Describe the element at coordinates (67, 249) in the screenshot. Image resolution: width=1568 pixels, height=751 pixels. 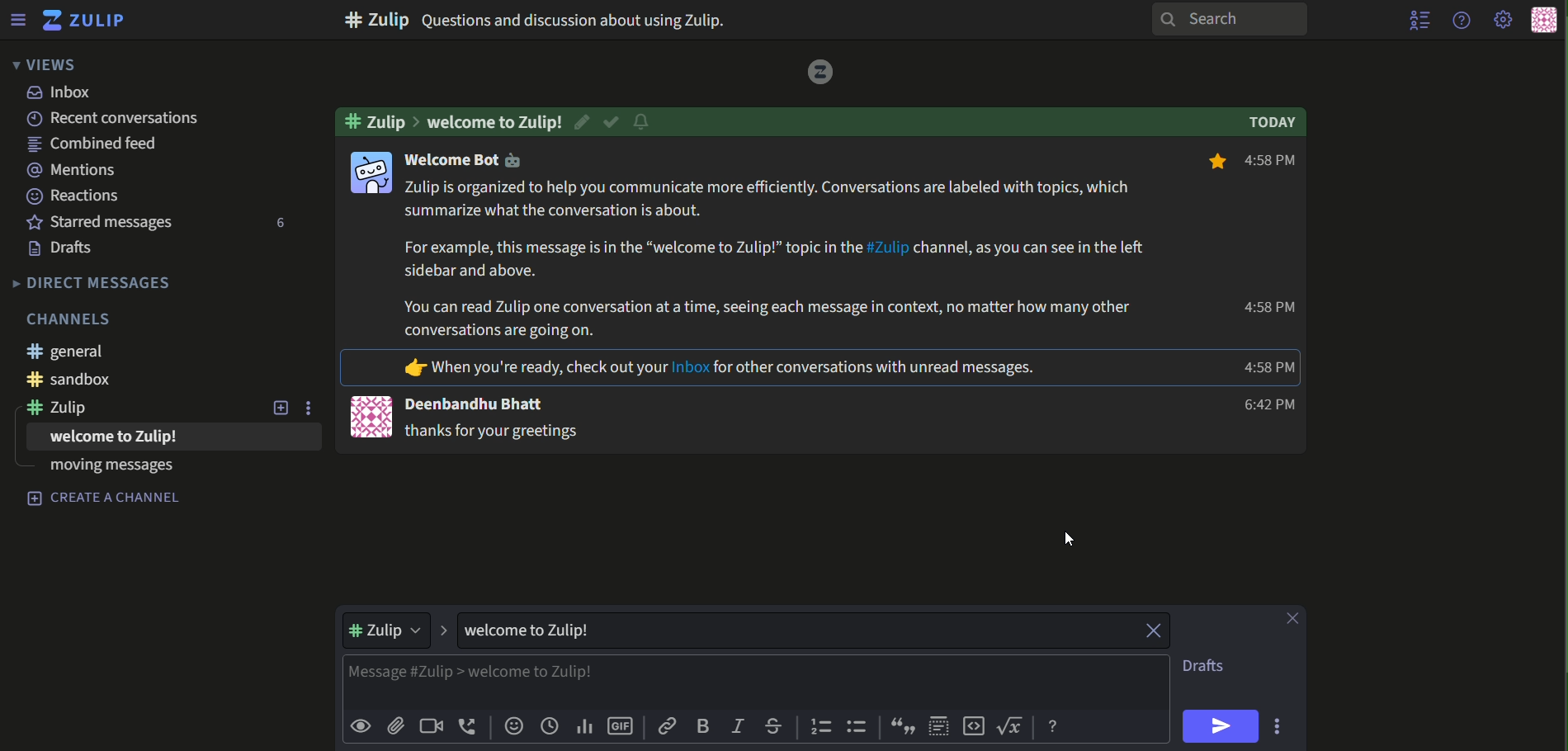
I see `text` at that location.